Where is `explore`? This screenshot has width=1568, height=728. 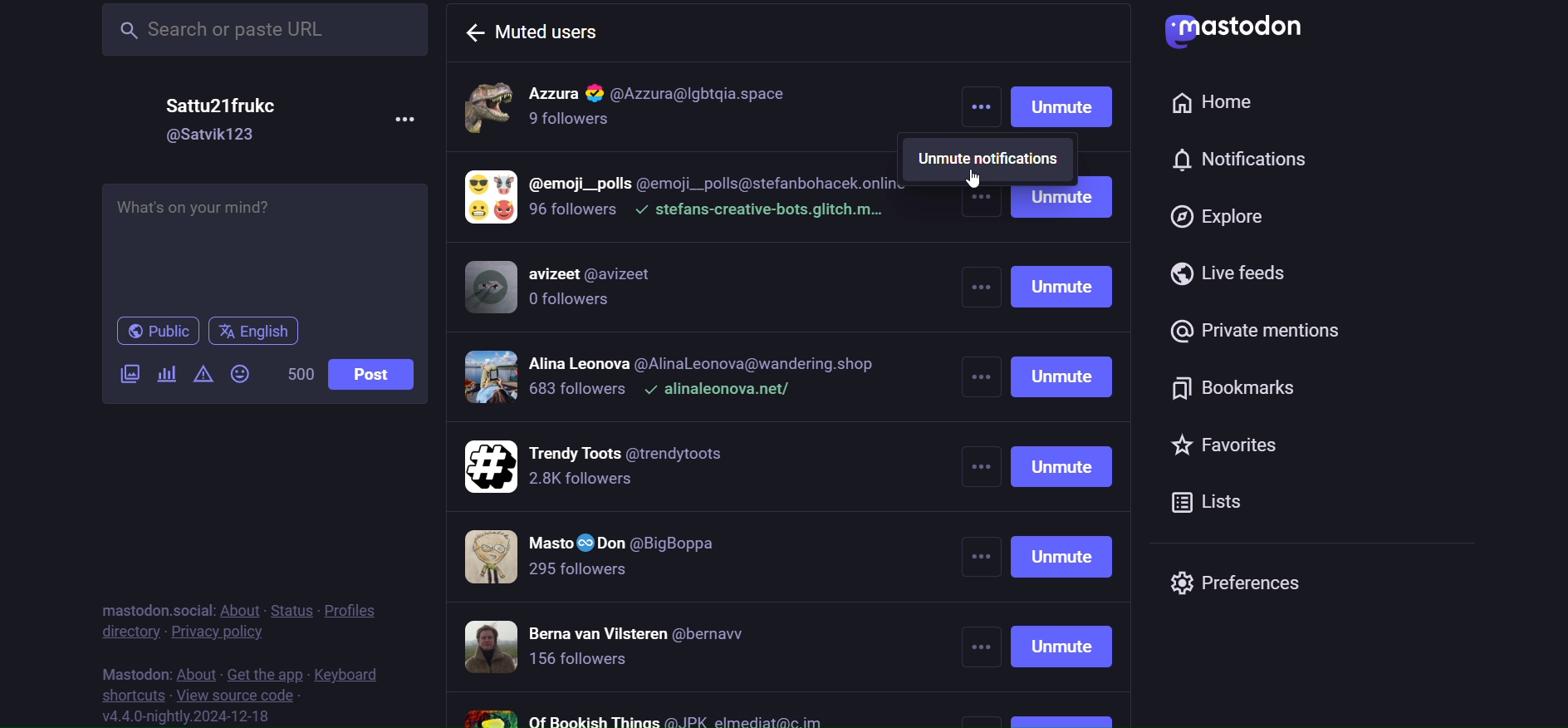 explore is located at coordinates (1230, 218).